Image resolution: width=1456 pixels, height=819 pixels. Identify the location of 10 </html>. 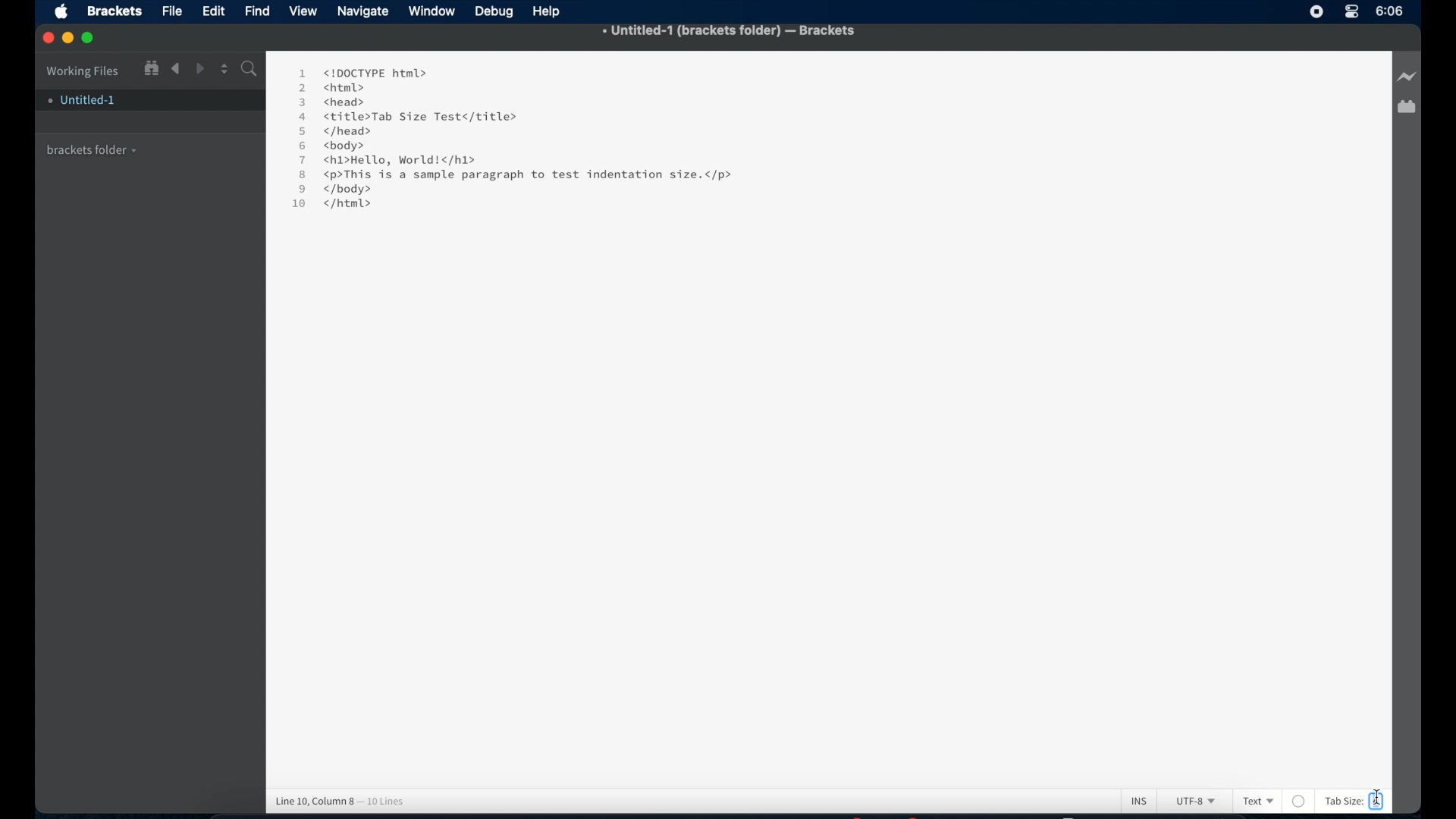
(327, 206).